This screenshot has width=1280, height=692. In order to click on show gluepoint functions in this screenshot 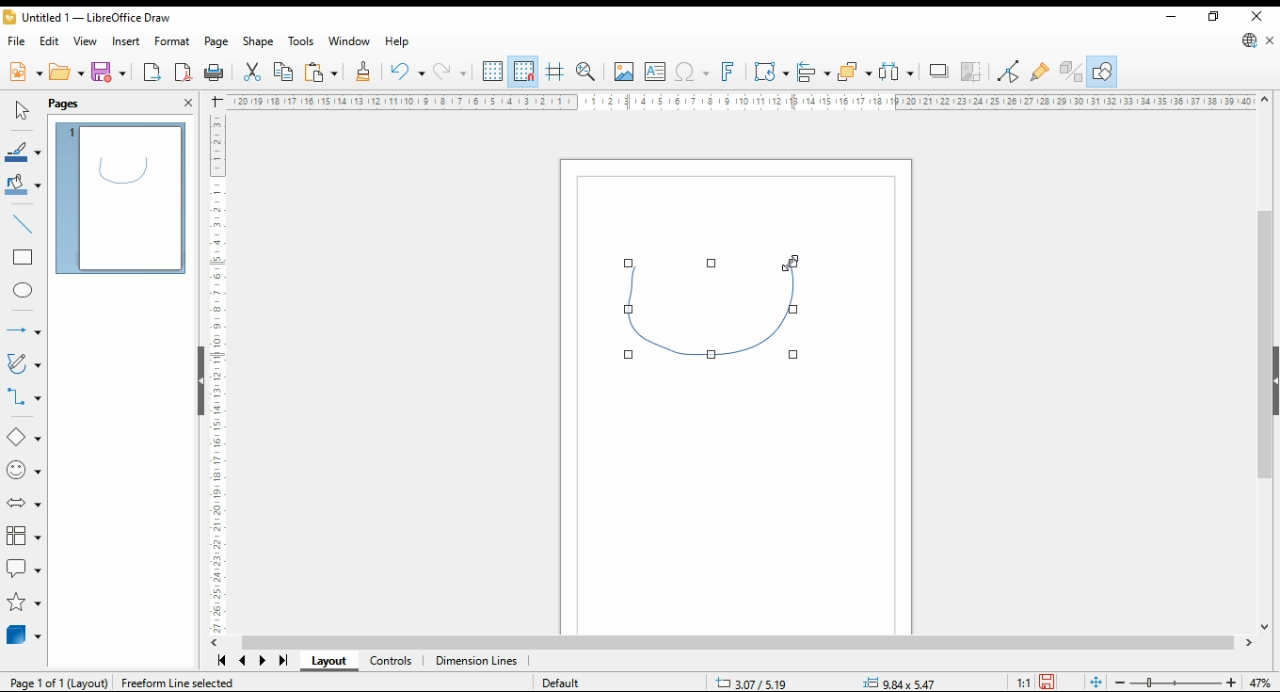, I will do `click(1041, 72)`.